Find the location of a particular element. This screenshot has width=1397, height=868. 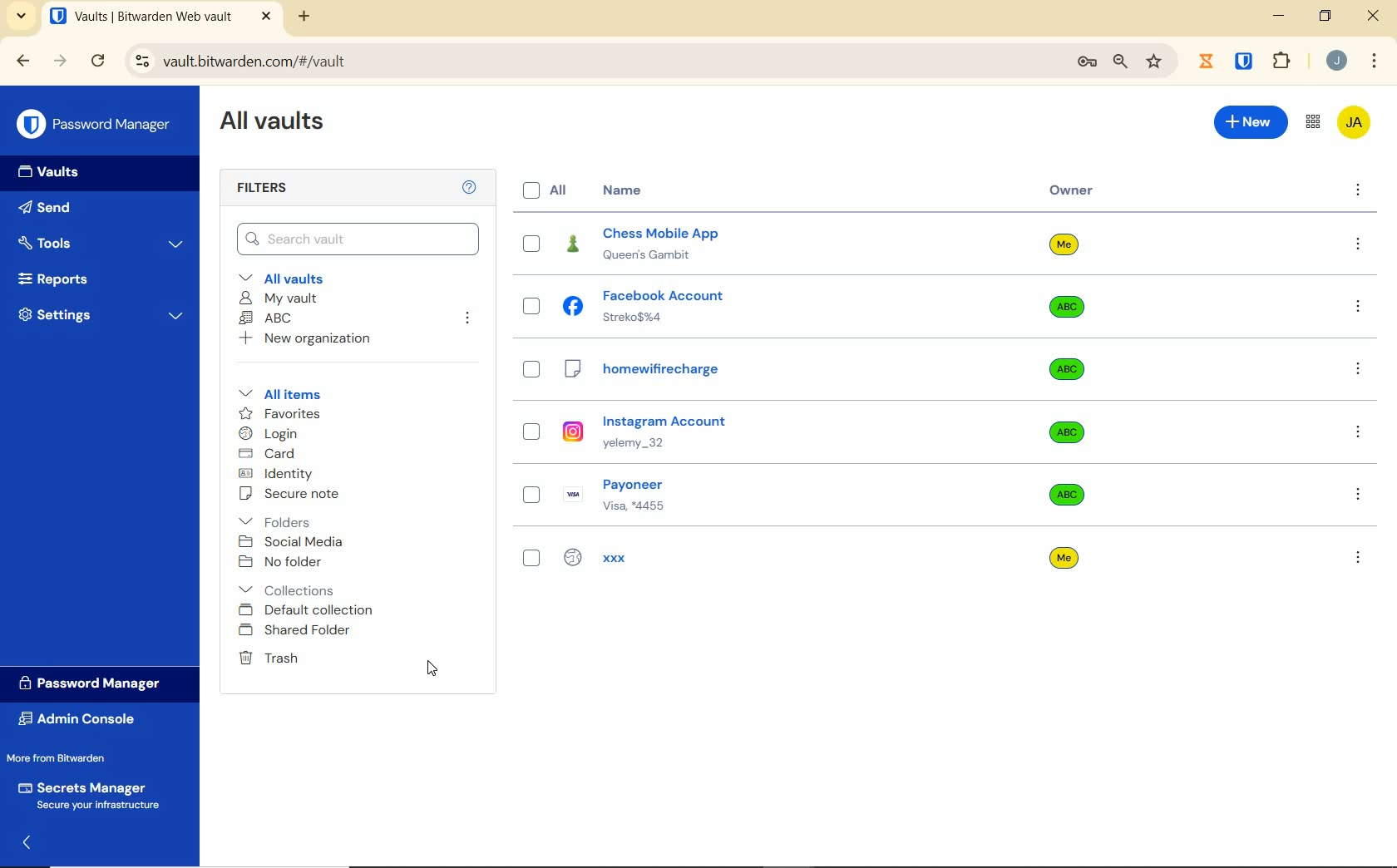

social media is located at coordinates (296, 542).